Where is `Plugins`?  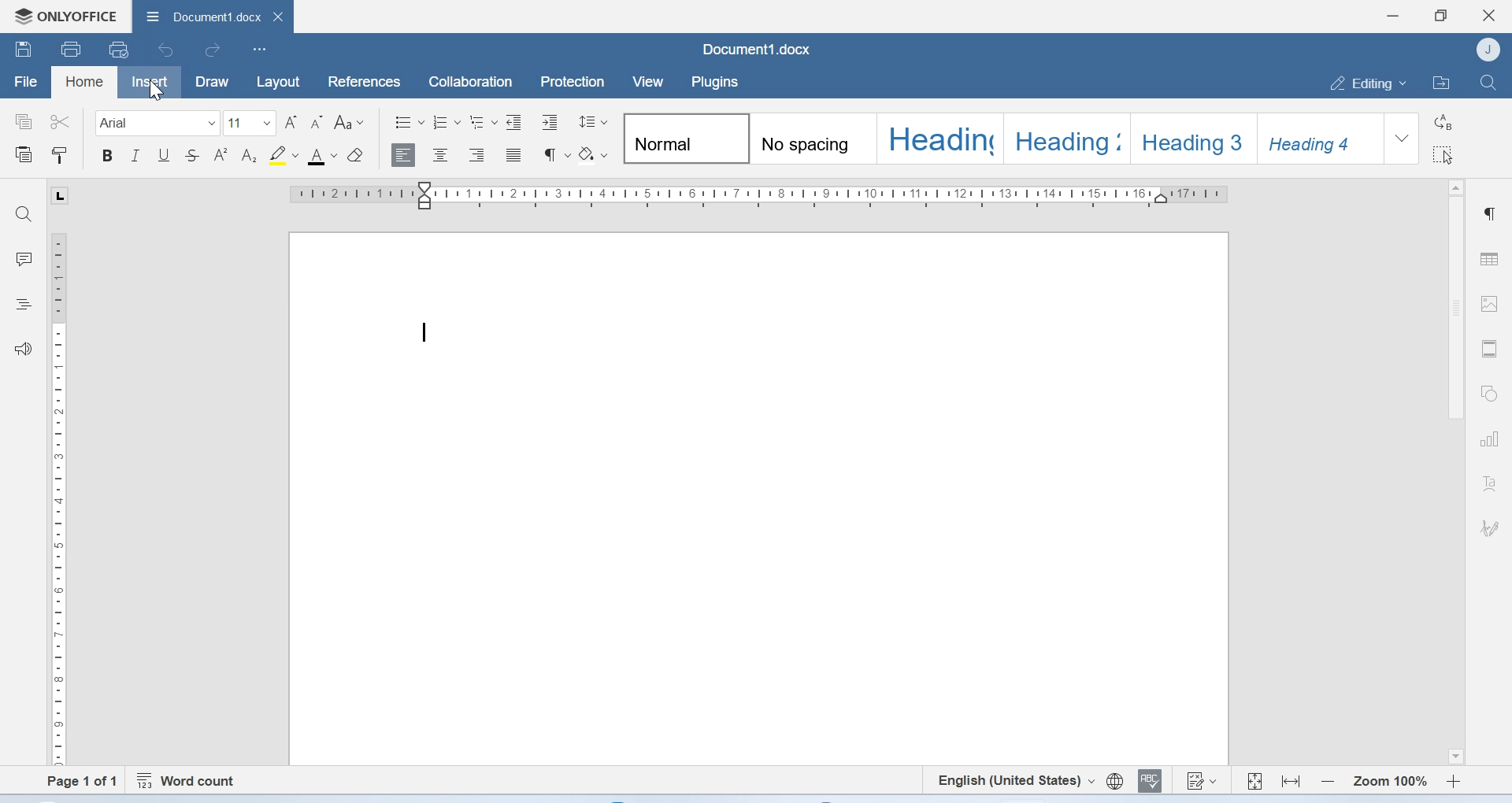
Plugins is located at coordinates (713, 80).